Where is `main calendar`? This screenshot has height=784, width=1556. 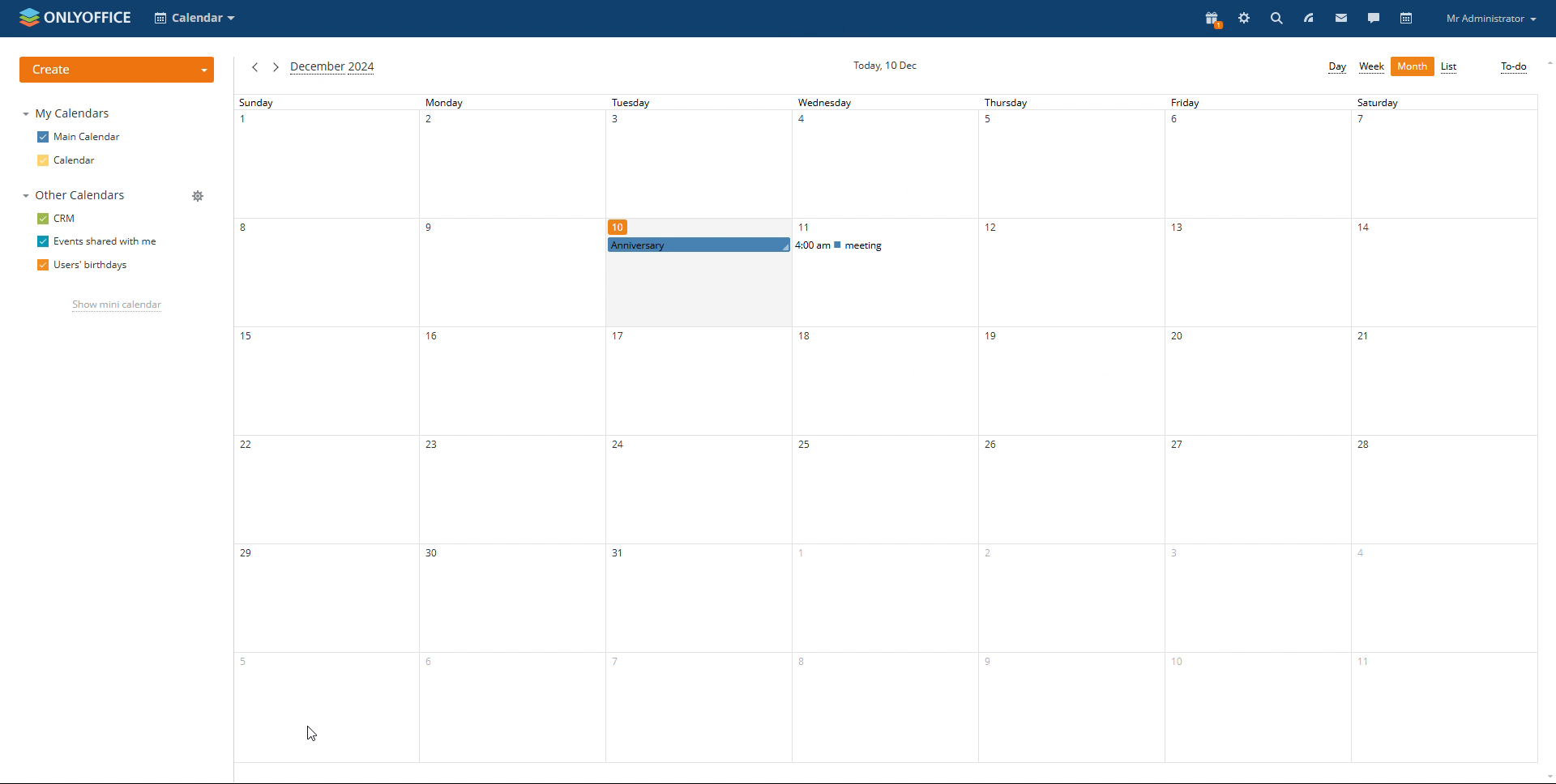 main calendar is located at coordinates (79, 137).